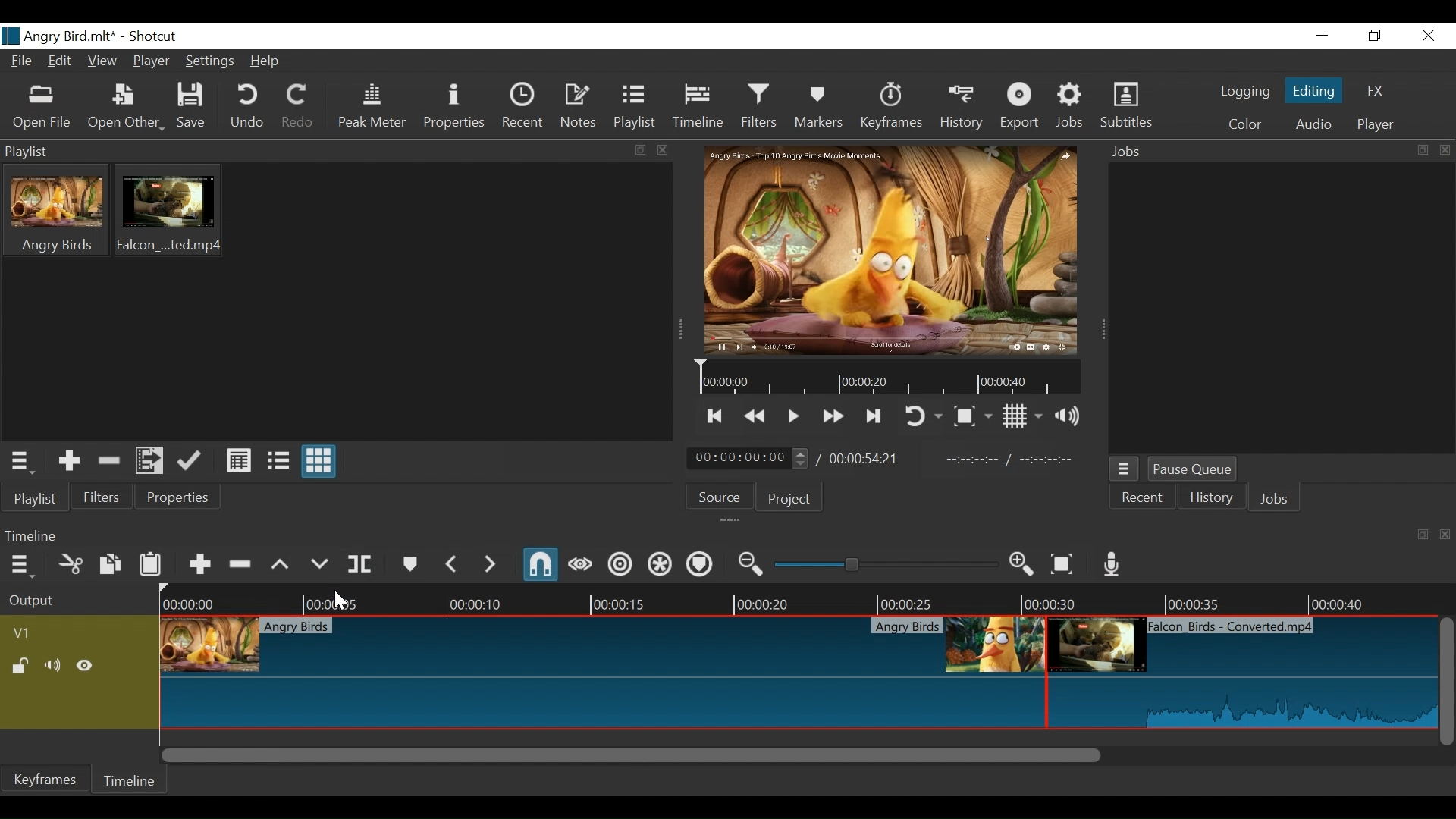 The image size is (1456, 819). I want to click on Settings, so click(210, 62).